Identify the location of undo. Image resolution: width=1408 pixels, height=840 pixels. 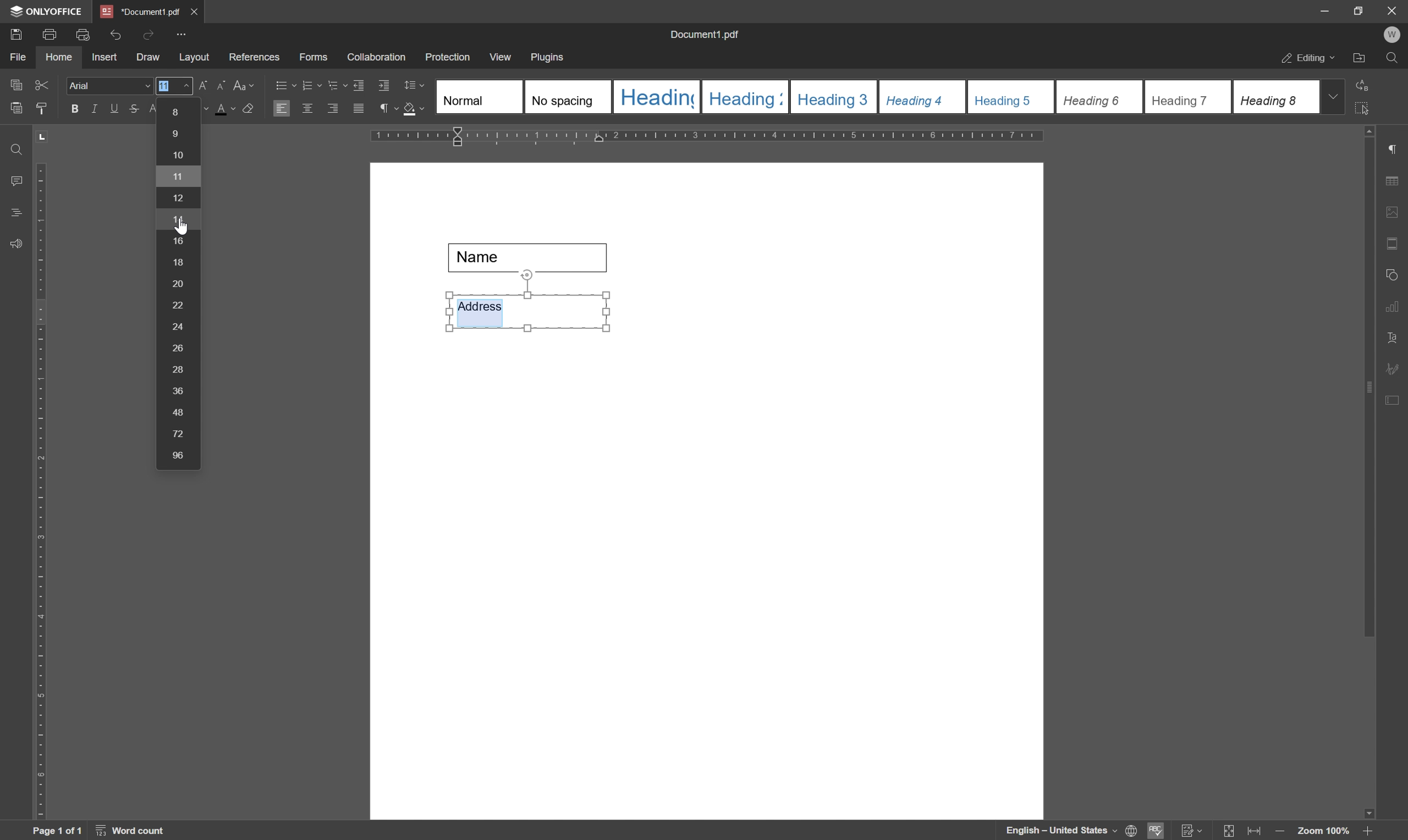
(115, 32).